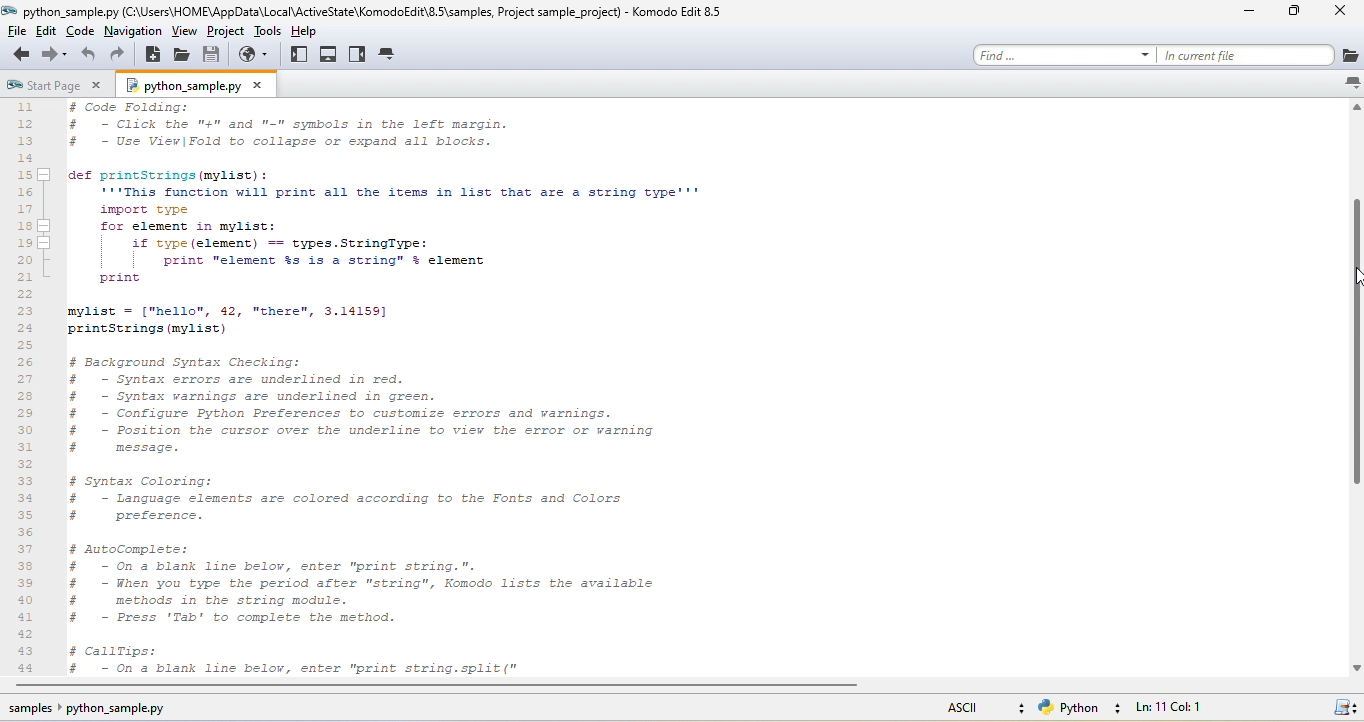 This screenshot has width=1364, height=722. Describe the element at coordinates (54, 55) in the screenshot. I see `forward` at that location.